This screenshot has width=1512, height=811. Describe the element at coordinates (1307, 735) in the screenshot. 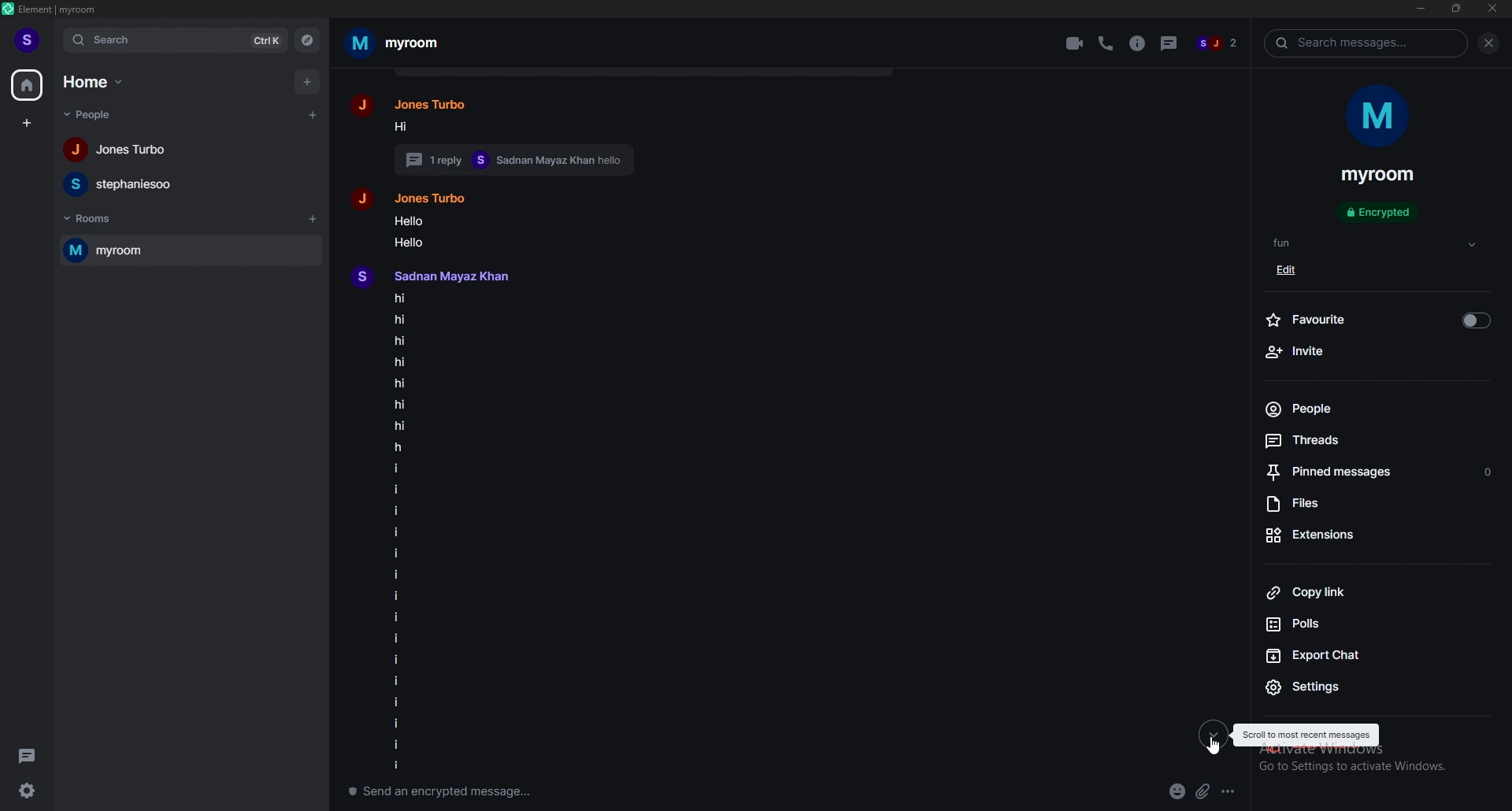

I see `scroll to most recent messages` at that location.